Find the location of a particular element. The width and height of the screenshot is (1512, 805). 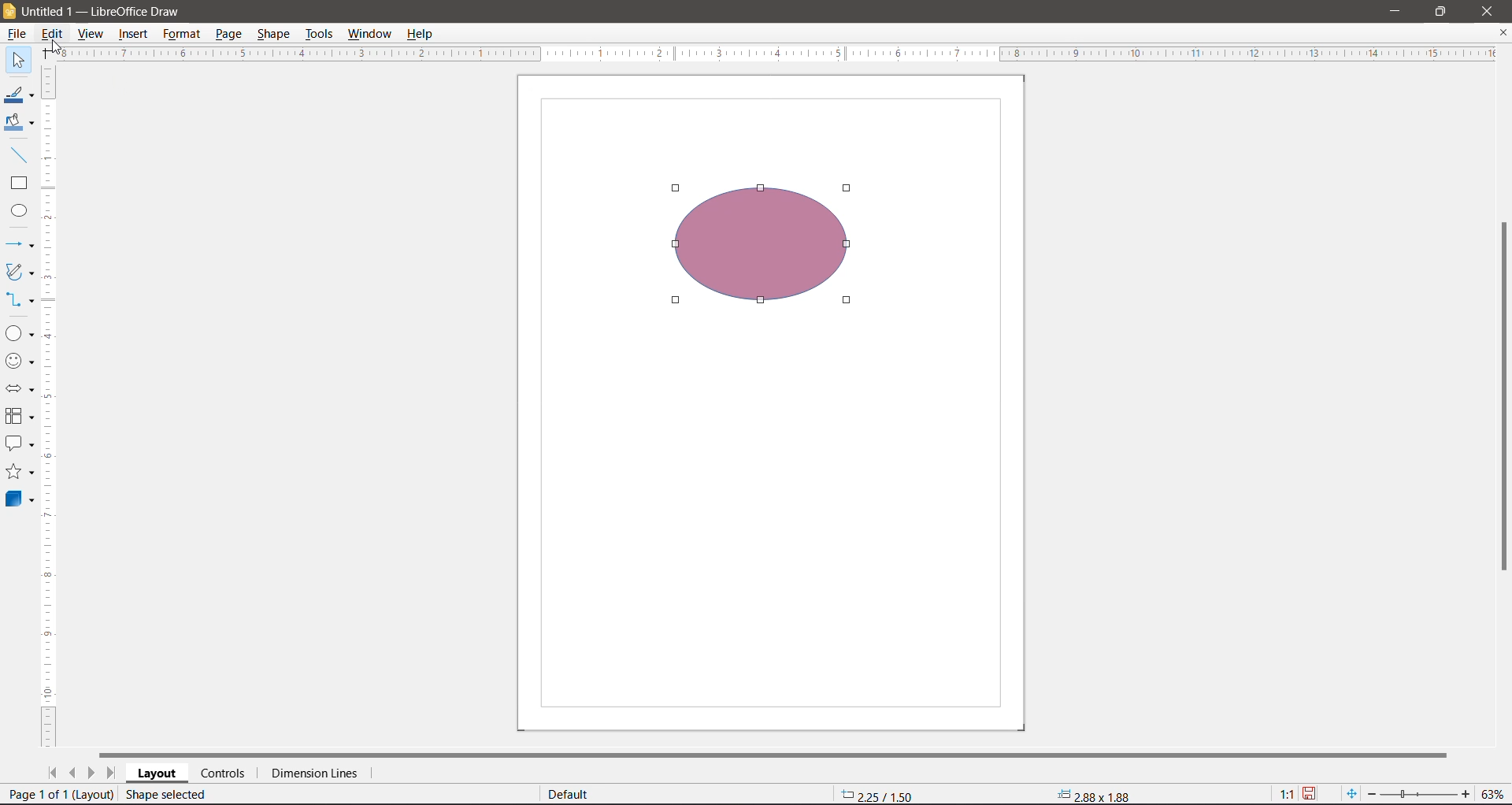

Edit is located at coordinates (53, 35).